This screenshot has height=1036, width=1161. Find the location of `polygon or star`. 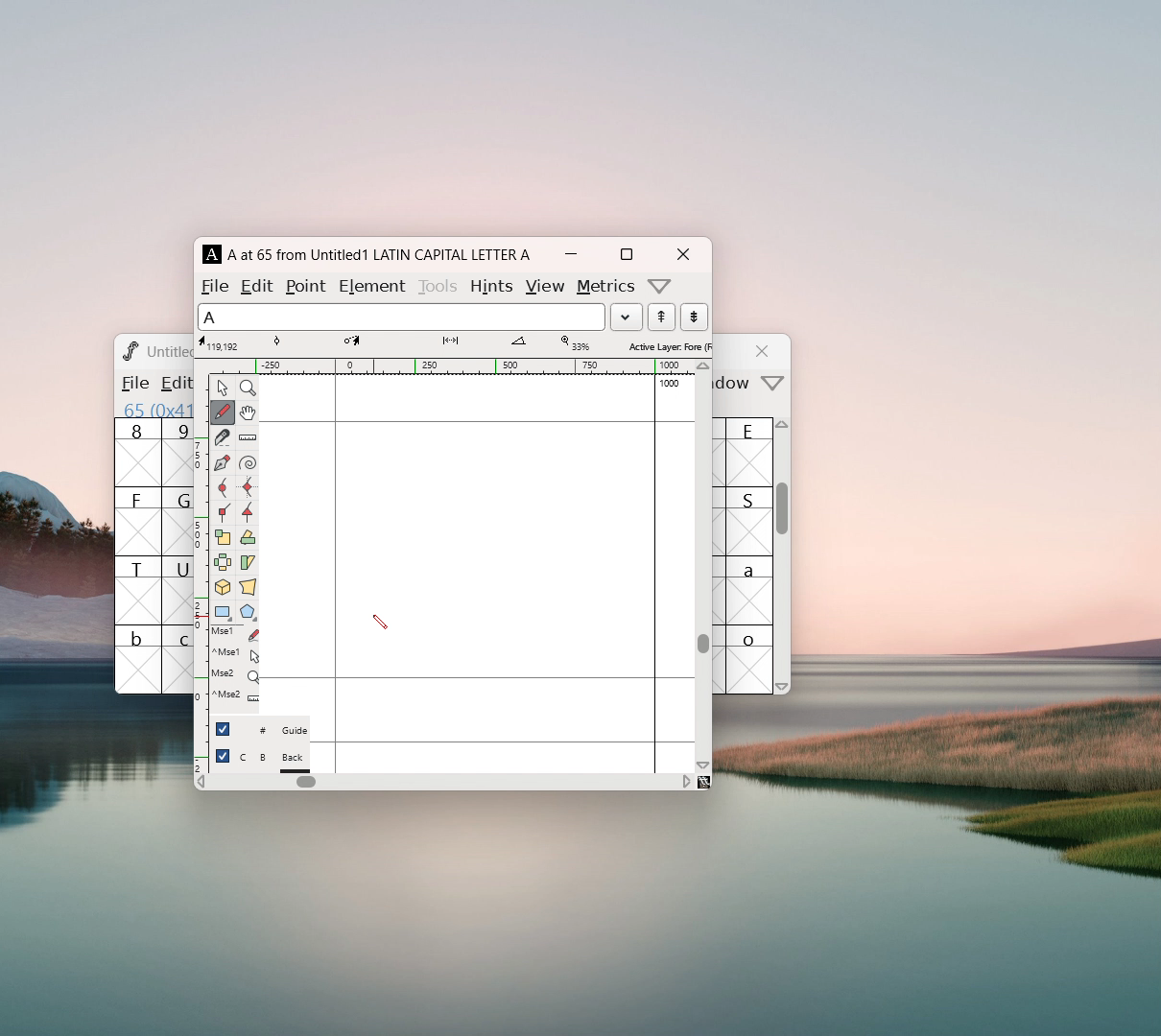

polygon or star is located at coordinates (249, 614).